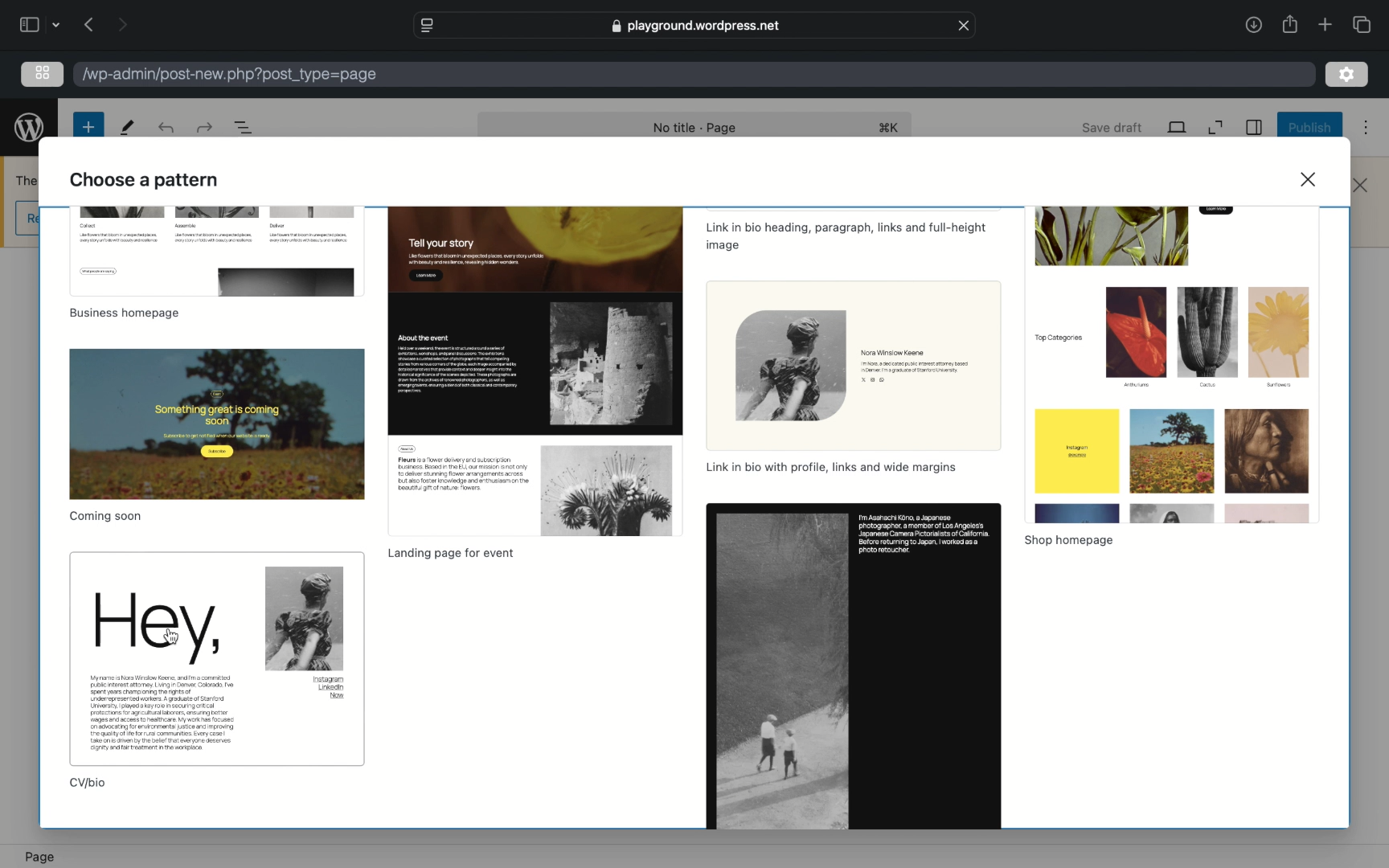  What do you see at coordinates (24, 180) in the screenshot?
I see `obscure text` at bounding box center [24, 180].